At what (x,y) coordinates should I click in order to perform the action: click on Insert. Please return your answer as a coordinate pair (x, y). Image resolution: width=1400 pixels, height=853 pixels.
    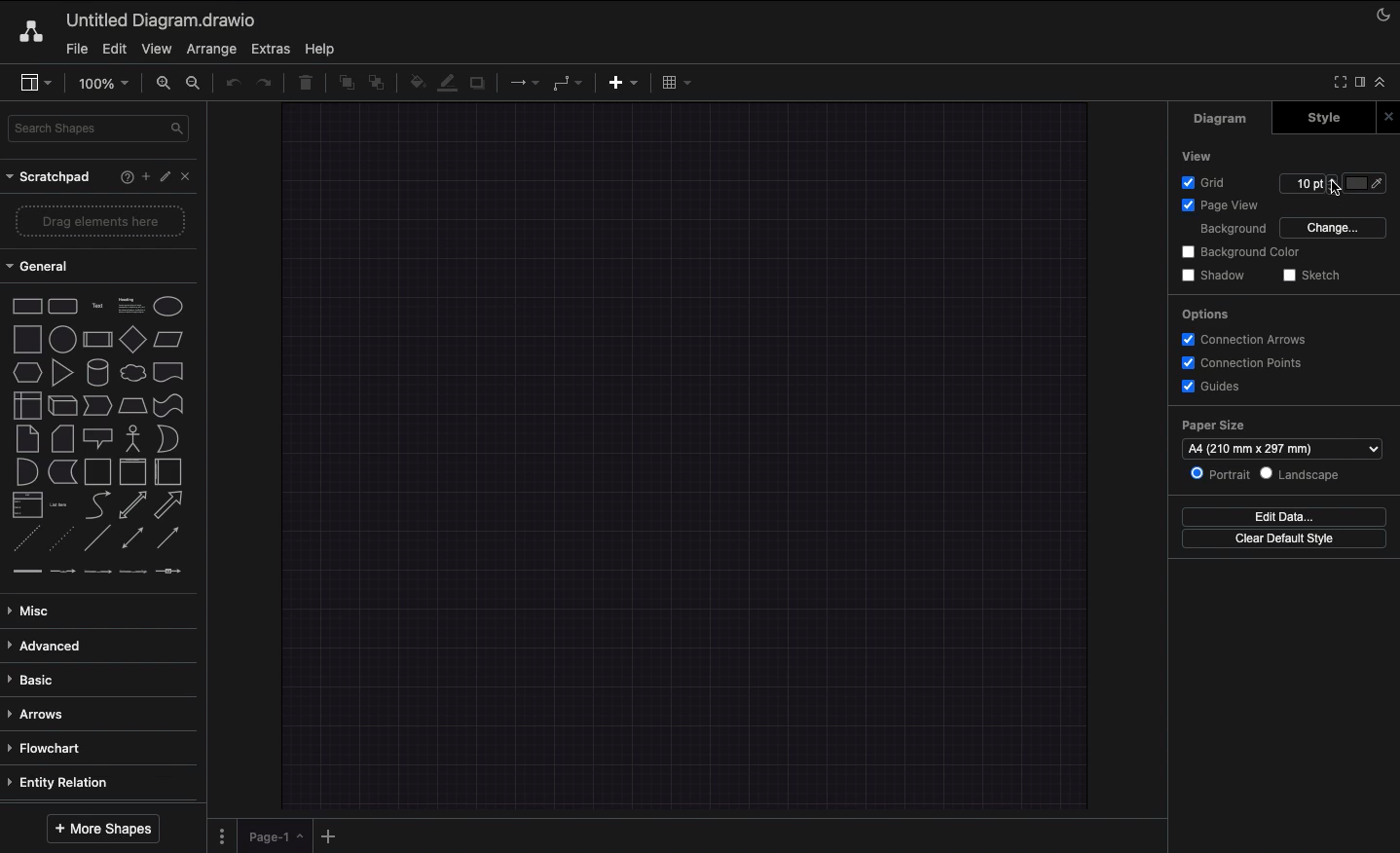
    Looking at the image, I should click on (623, 84).